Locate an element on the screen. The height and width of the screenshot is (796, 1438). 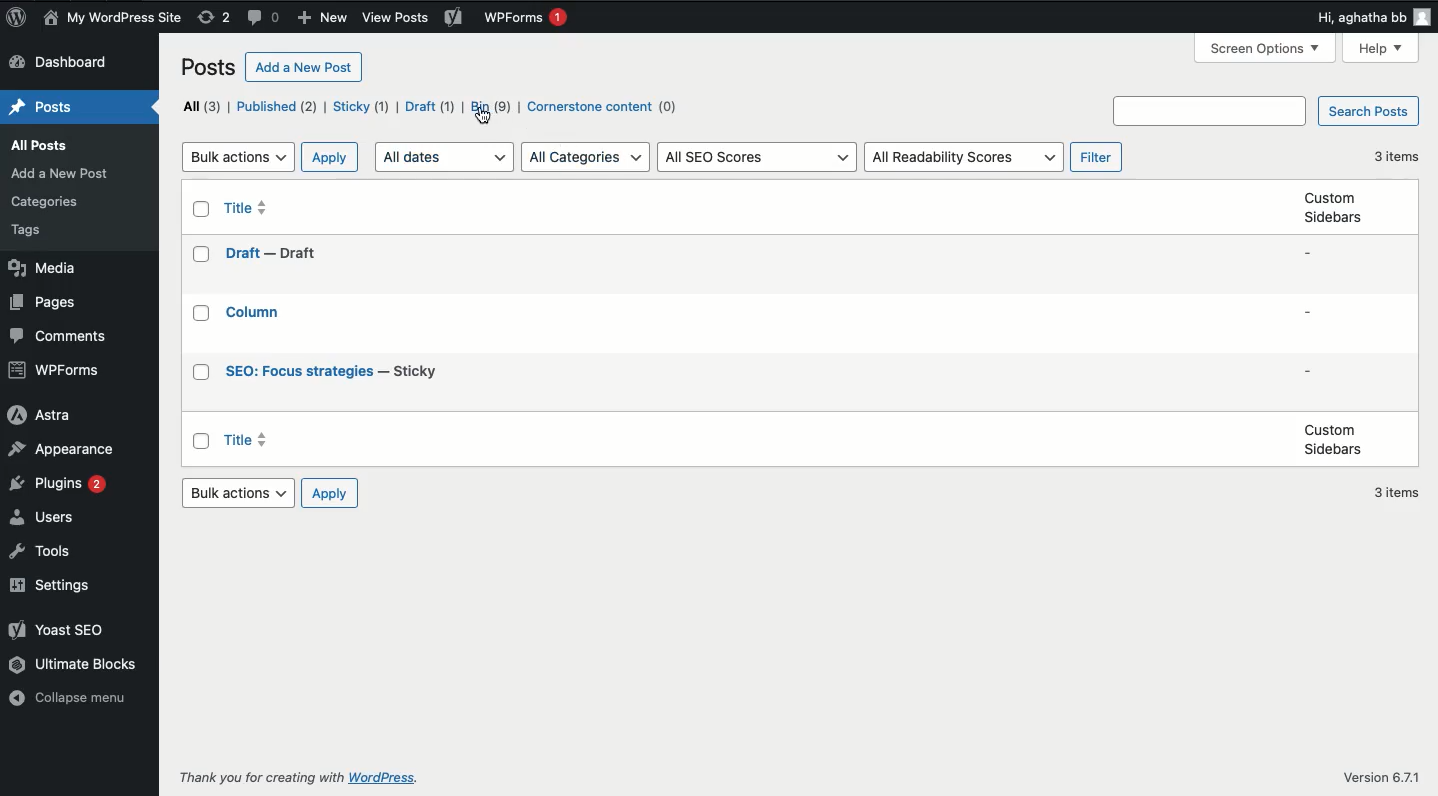
Revisions is located at coordinates (216, 18).